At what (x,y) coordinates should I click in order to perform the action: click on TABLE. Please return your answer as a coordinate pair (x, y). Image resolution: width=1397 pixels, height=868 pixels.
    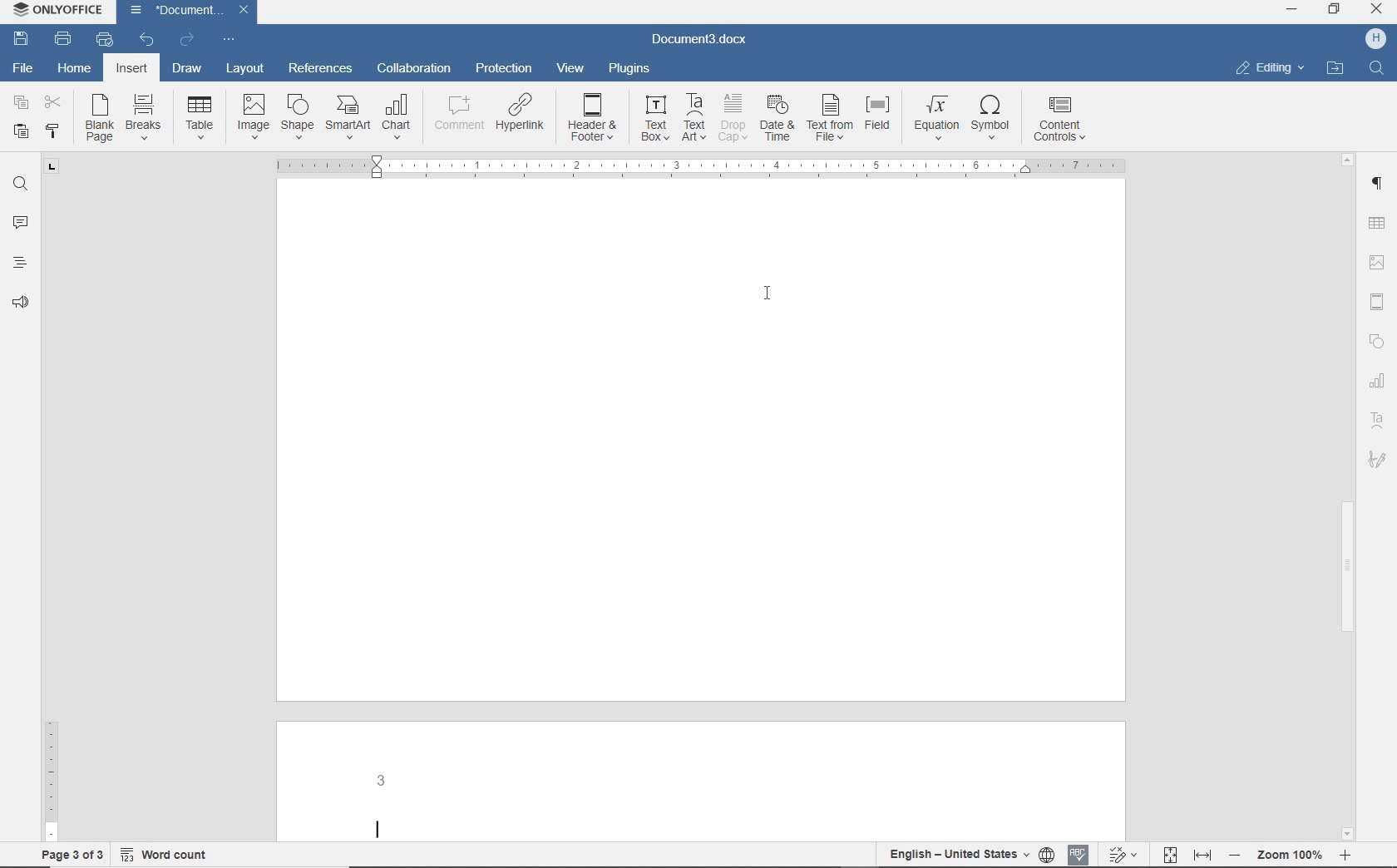
    Looking at the image, I should click on (200, 118).